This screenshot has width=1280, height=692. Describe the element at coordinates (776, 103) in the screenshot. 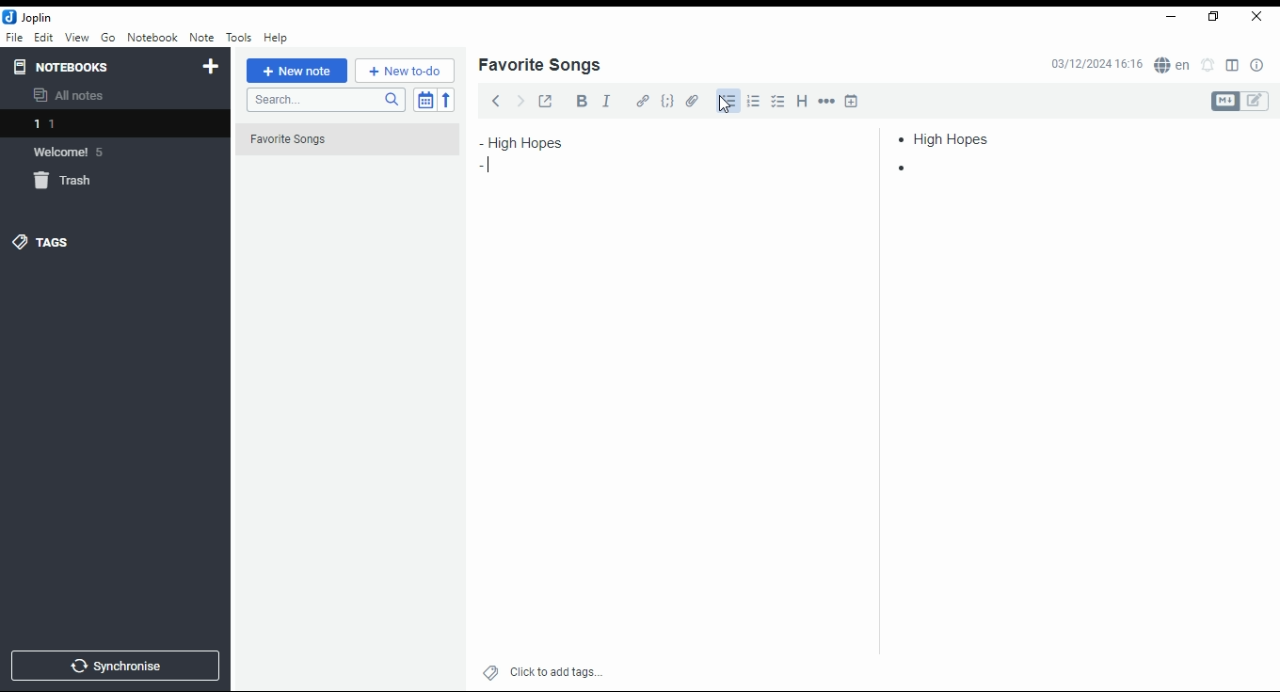

I see `checkbox` at that location.